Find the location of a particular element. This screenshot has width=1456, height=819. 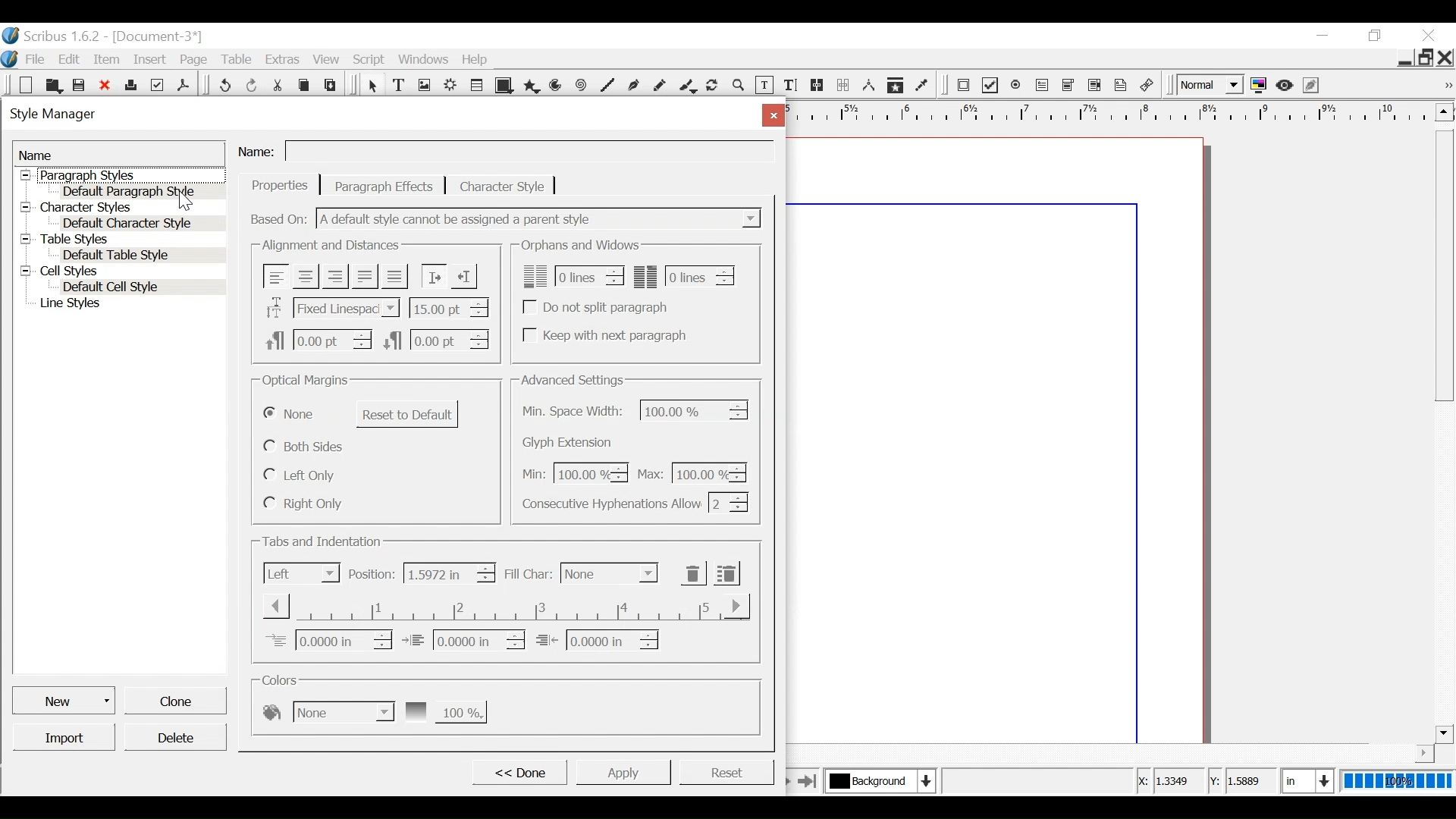

Eye dropper is located at coordinates (923, 86).